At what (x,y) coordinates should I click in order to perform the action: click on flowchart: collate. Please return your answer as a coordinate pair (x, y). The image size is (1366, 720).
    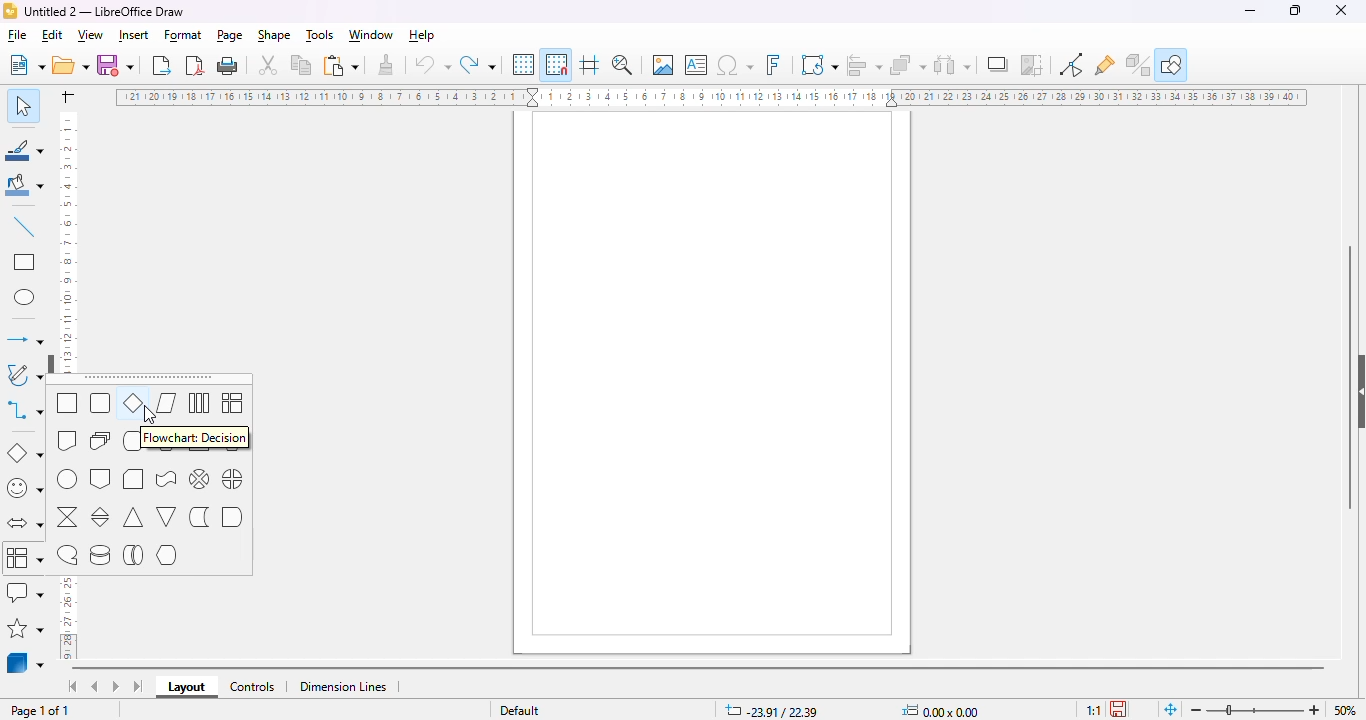
    Looking at the image, I should click on (67, 517).